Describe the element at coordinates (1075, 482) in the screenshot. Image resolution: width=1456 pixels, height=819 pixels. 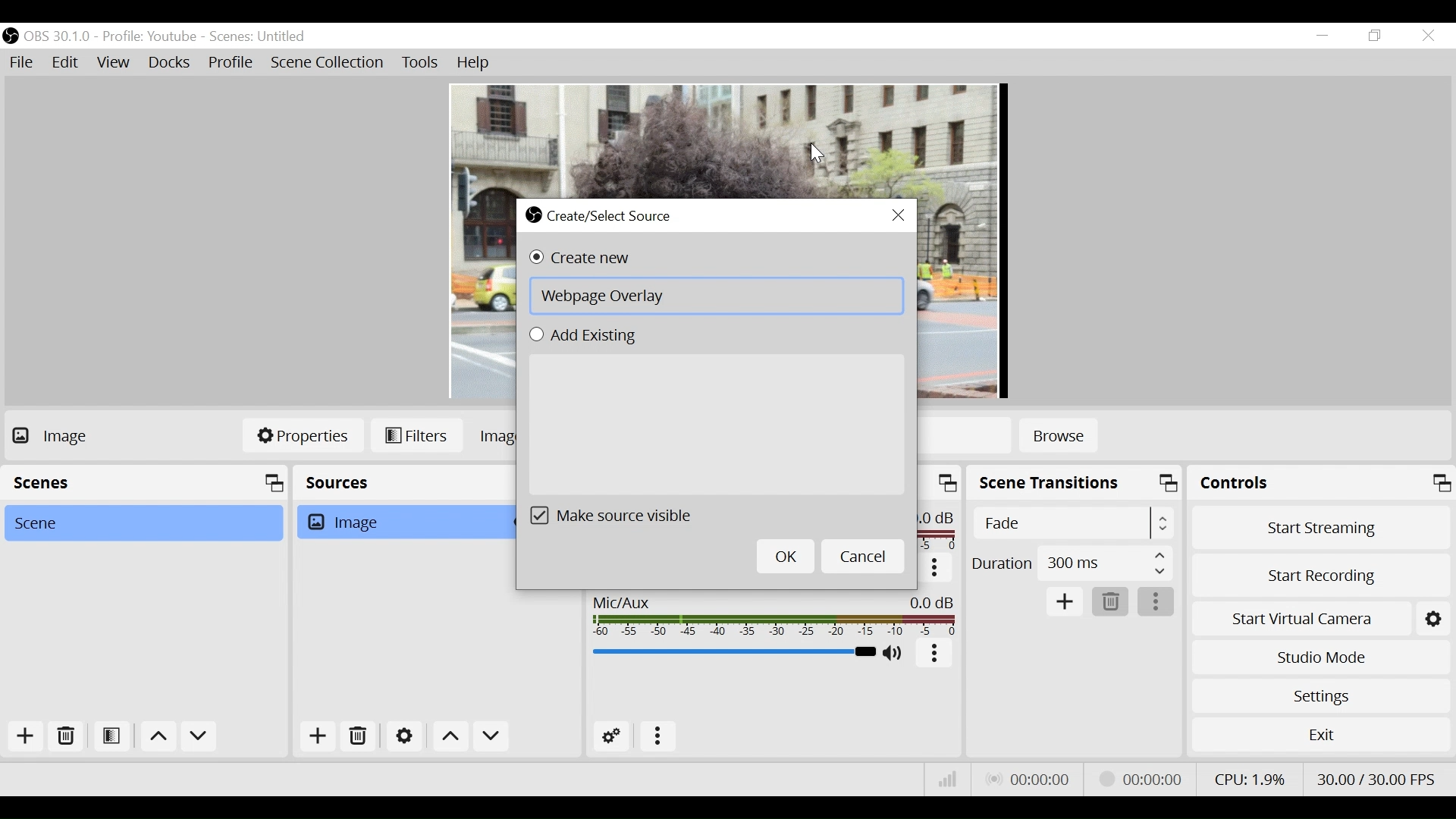
I see `Scene Transition` at that location.